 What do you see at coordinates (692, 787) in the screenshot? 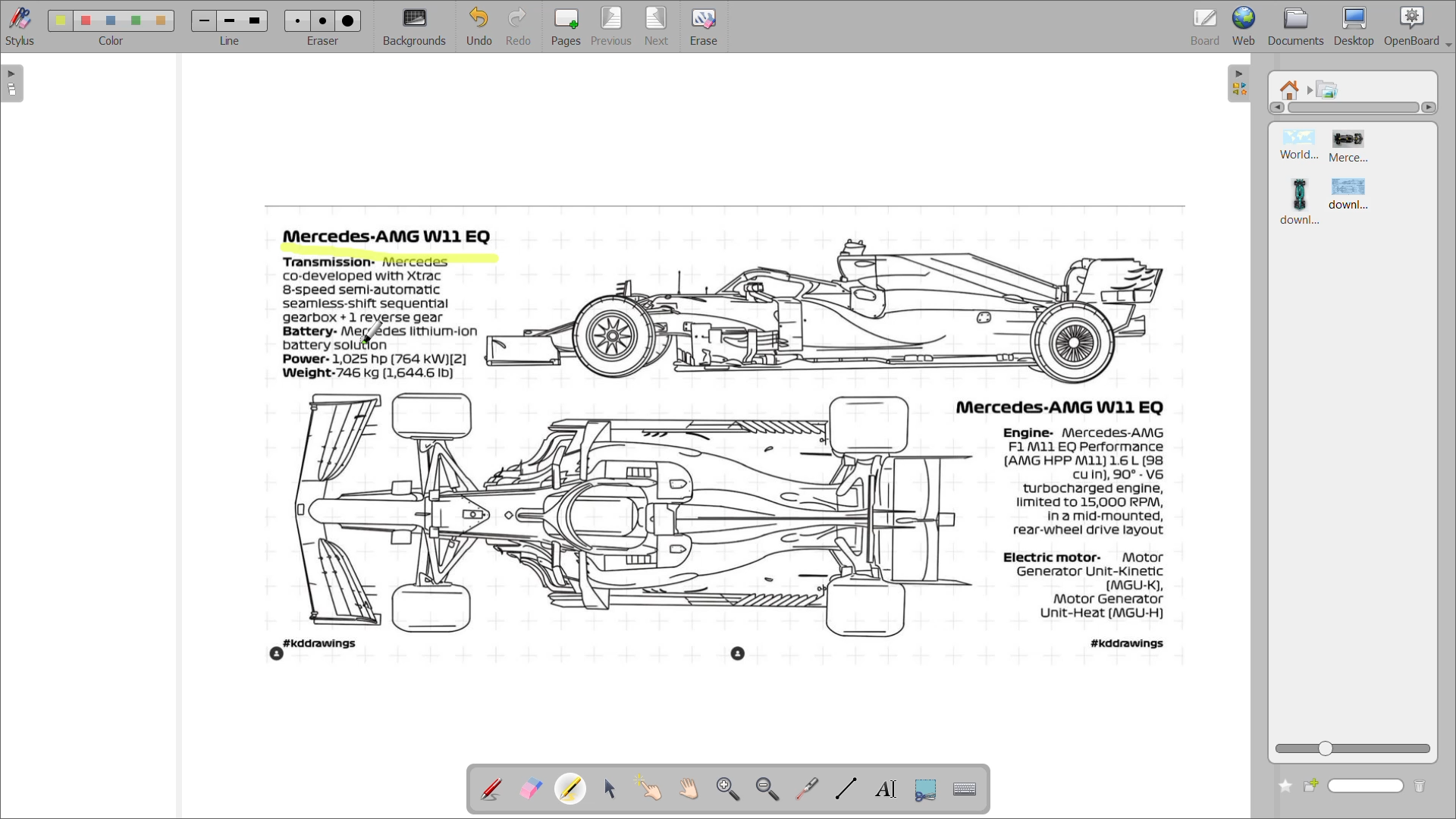
I see `scroll page` at bounding box center [692, 787].